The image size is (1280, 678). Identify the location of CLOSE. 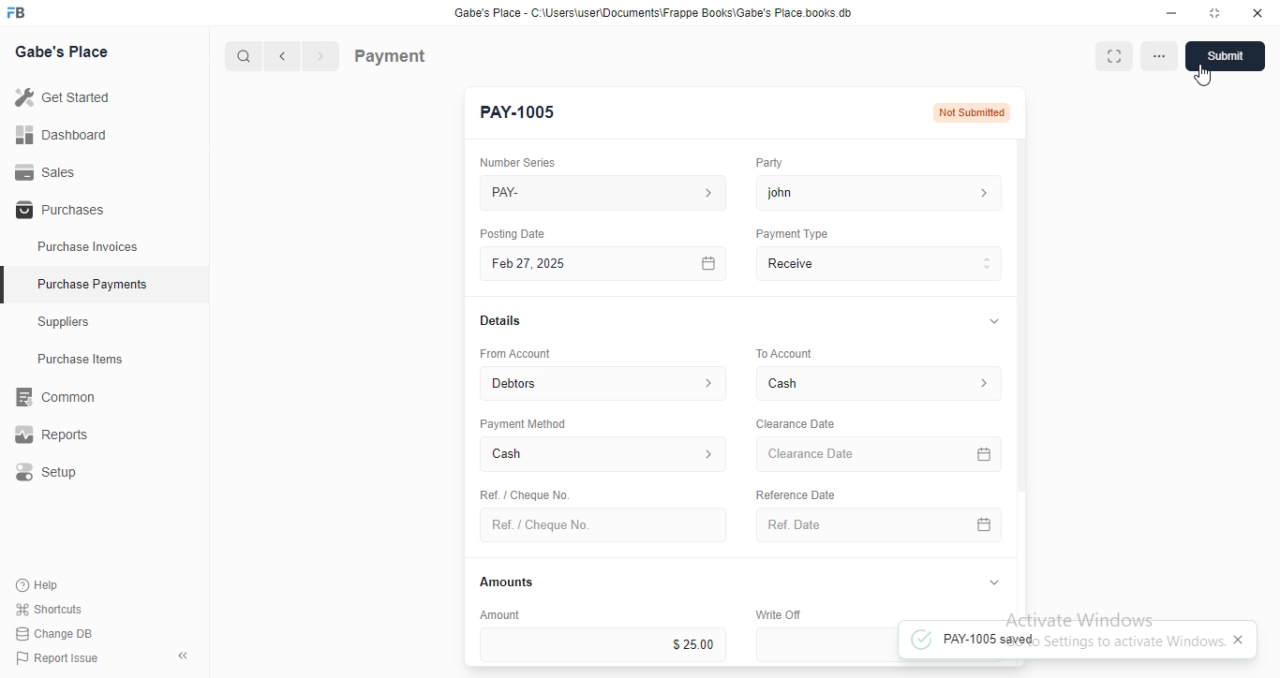
(1243, 641).